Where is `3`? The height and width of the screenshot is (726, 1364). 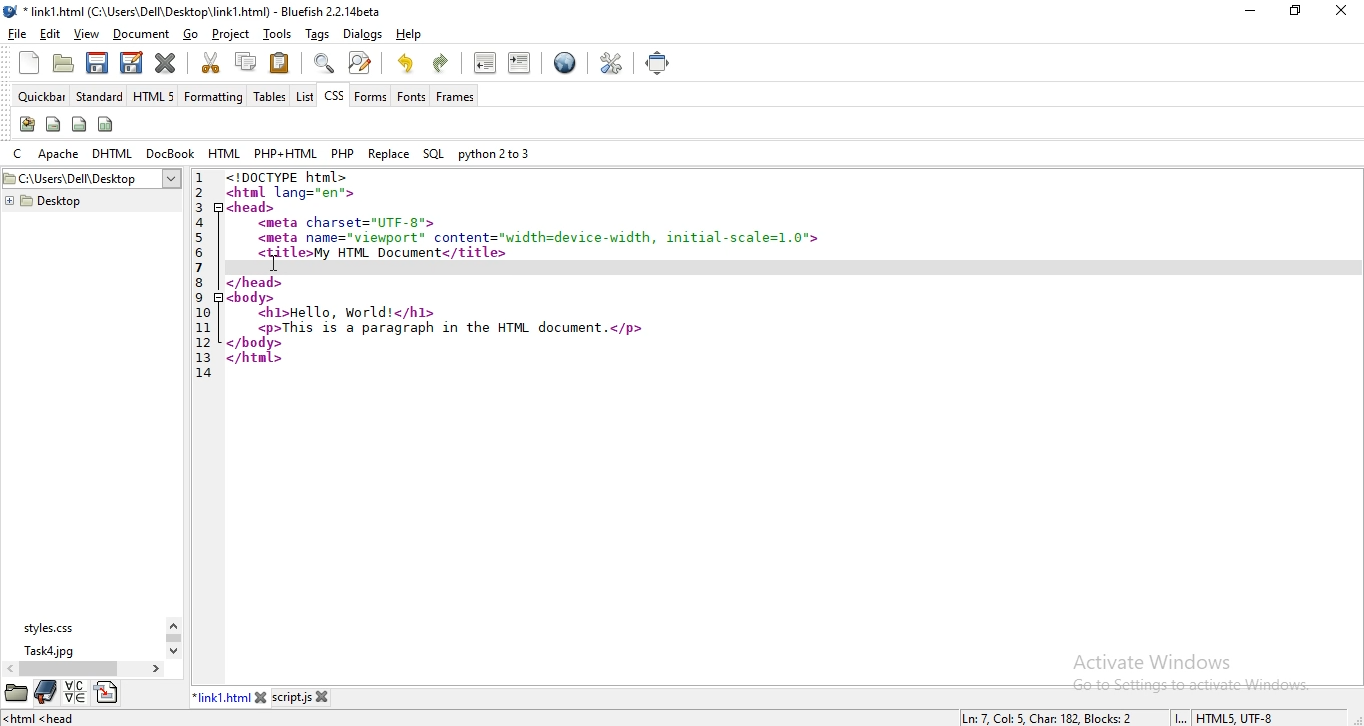 3 is located at coordinates (201, 208).